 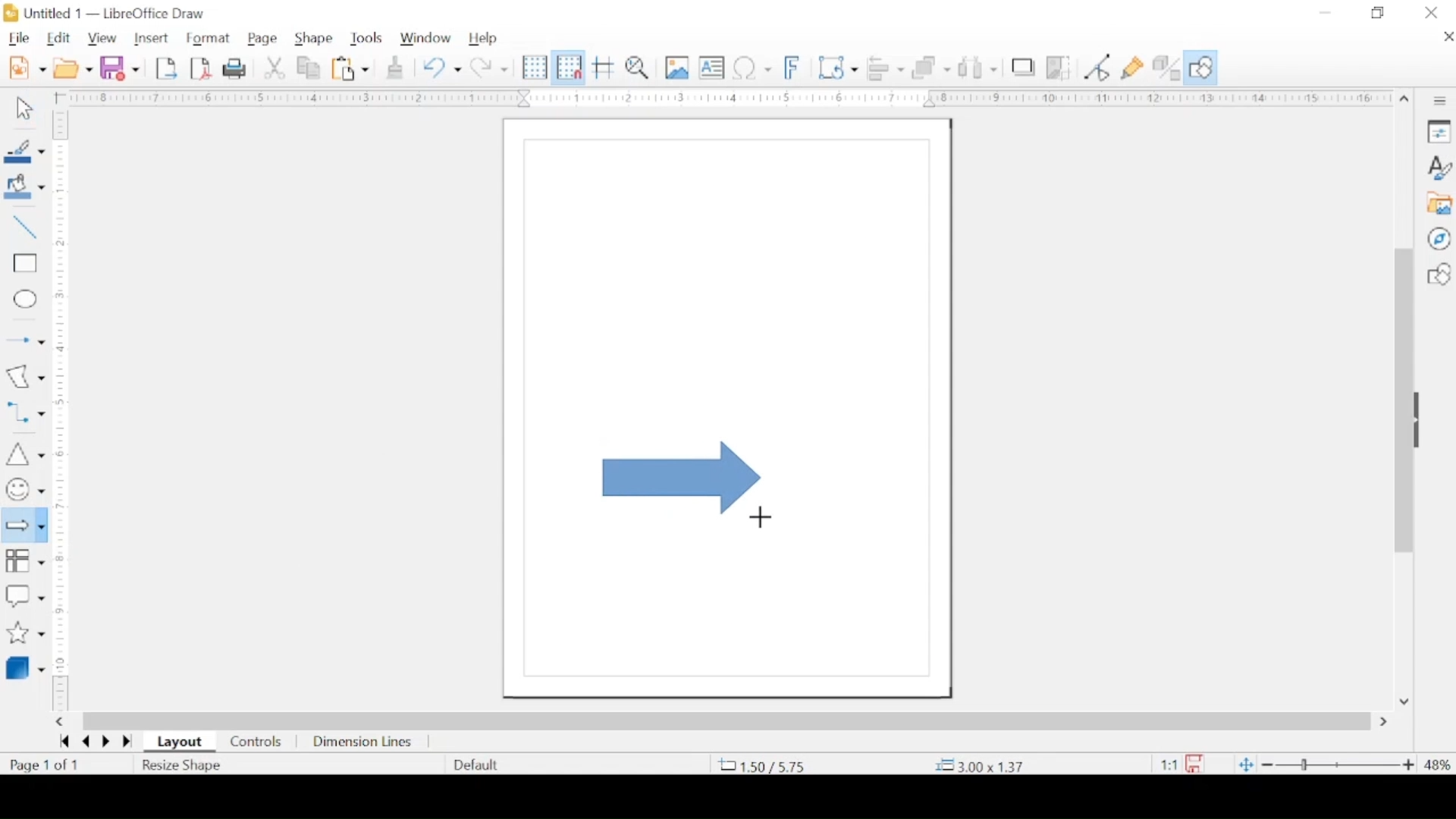 I want to click on properties, so click(x=1439, y=130).